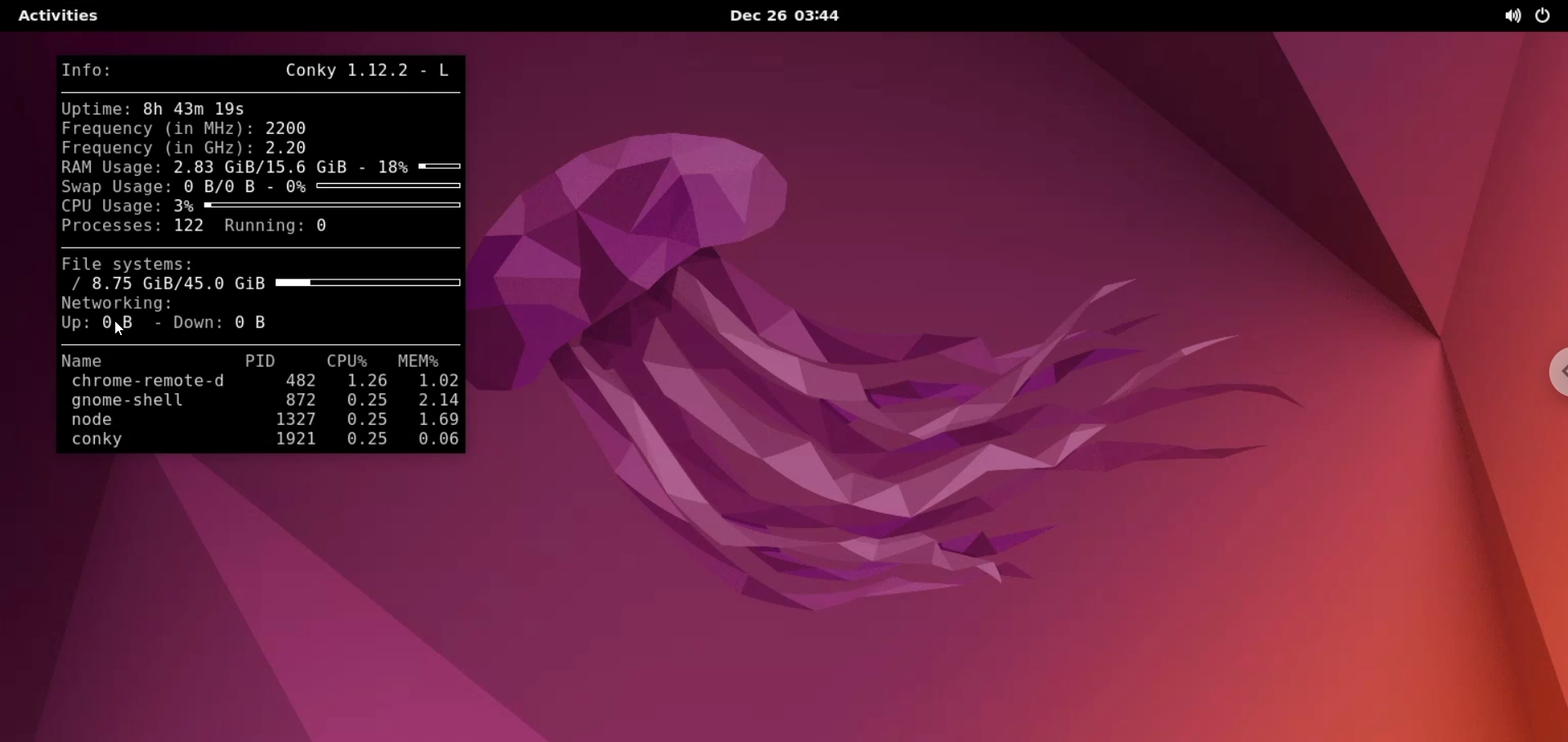 The height and width of the screenshot is (742, 1568). What do you see at coordinates (1544, 16) in the screenshot?
I see `power options` at bounding box center [1544, 16].